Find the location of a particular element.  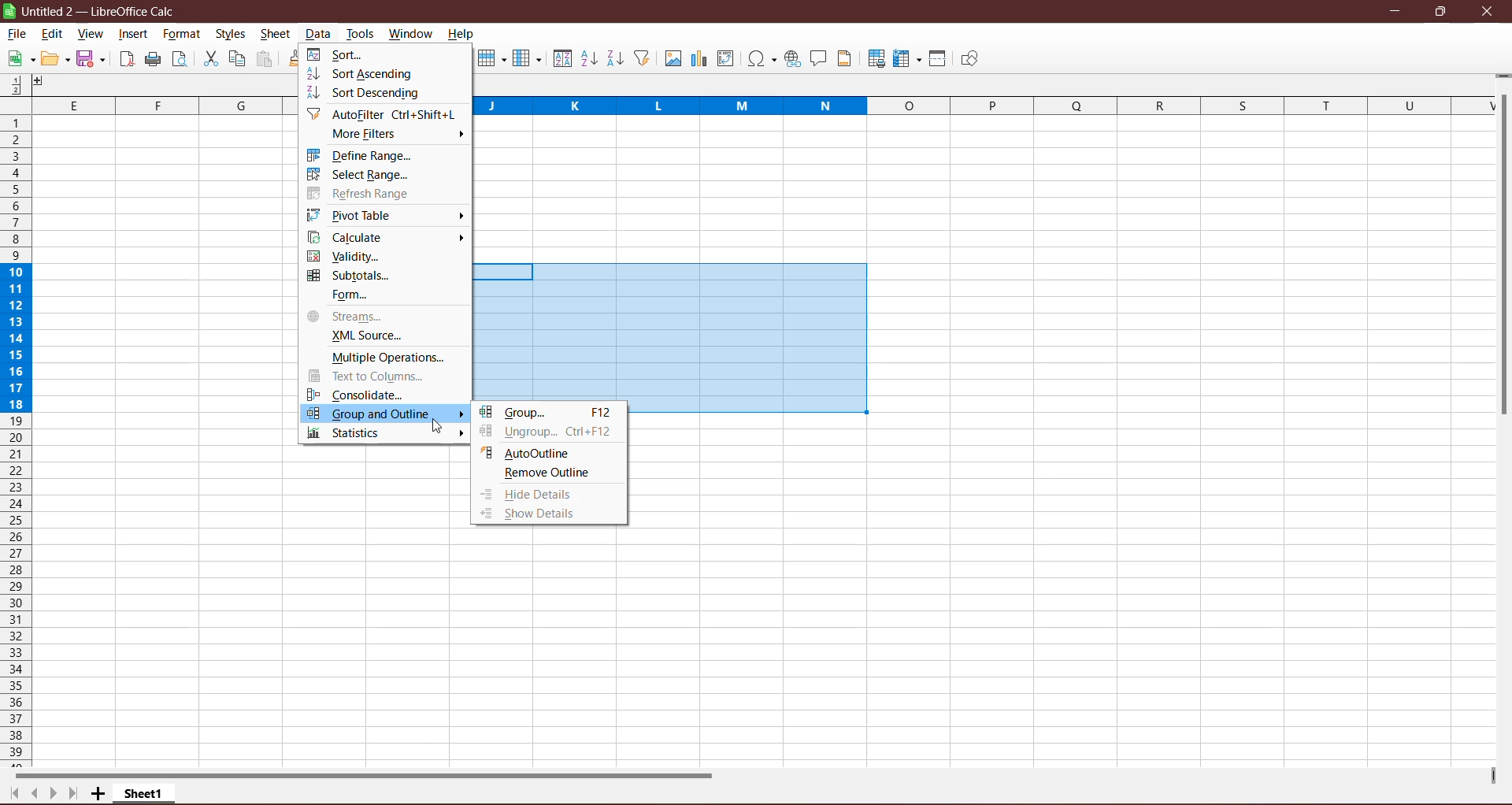

Insert Image is located at coordinates (672, 59).